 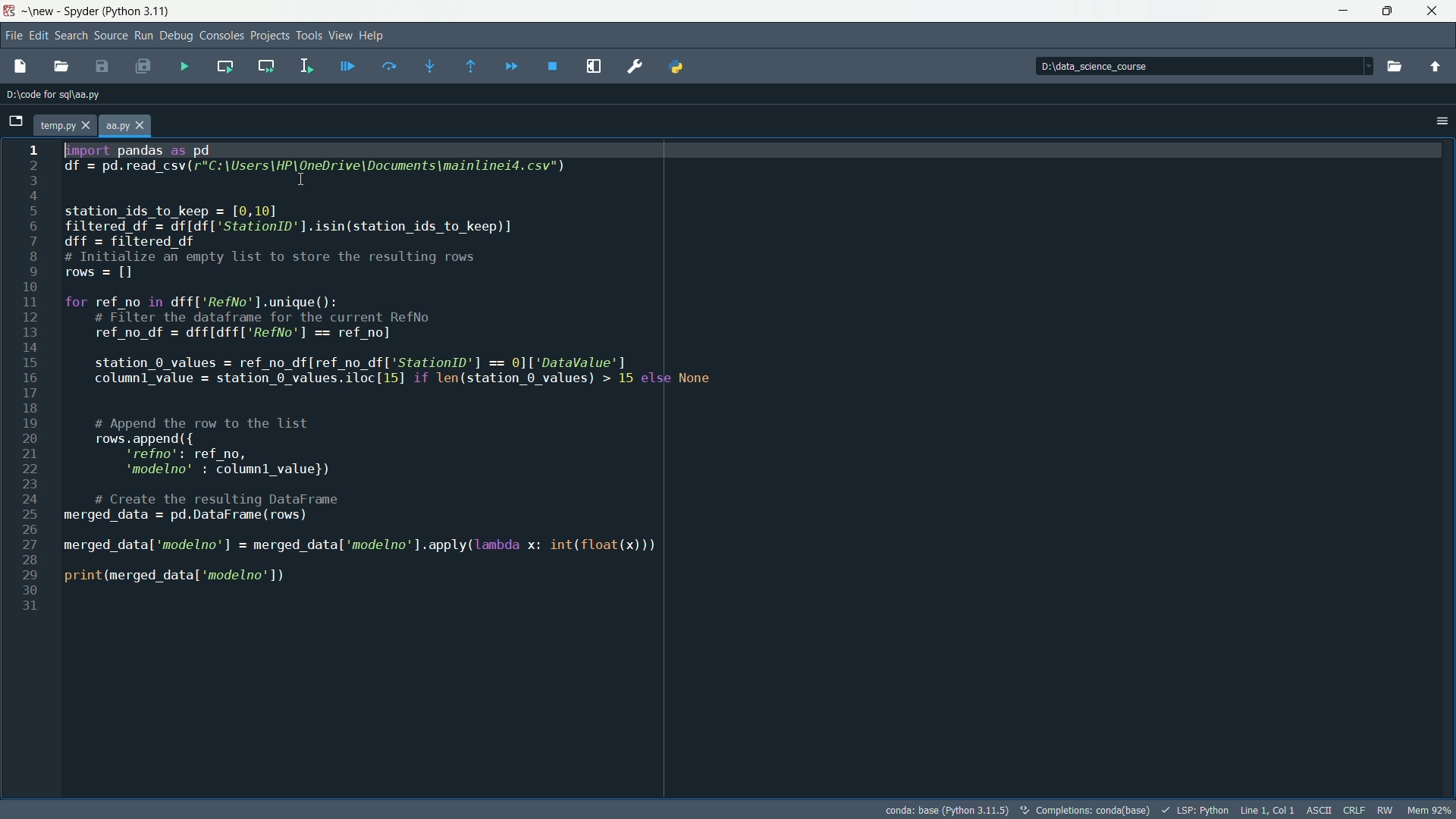 What do you see at coordinates (266, 66) in the screenshot?
I see `run current cell and go to the next one` at bounding box center [266, 66].